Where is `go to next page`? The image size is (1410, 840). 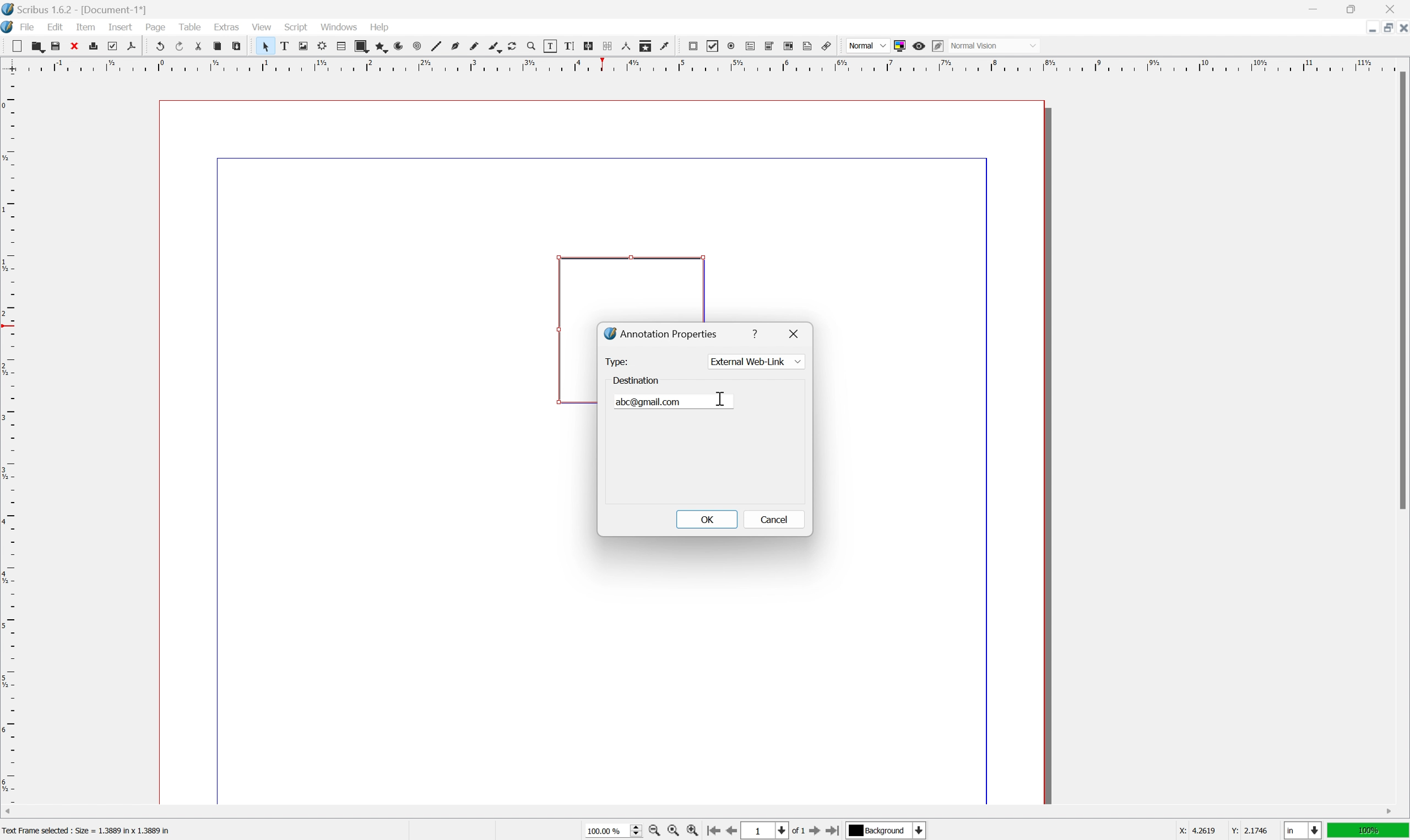
go to next page is located at coordinates (817, 832).